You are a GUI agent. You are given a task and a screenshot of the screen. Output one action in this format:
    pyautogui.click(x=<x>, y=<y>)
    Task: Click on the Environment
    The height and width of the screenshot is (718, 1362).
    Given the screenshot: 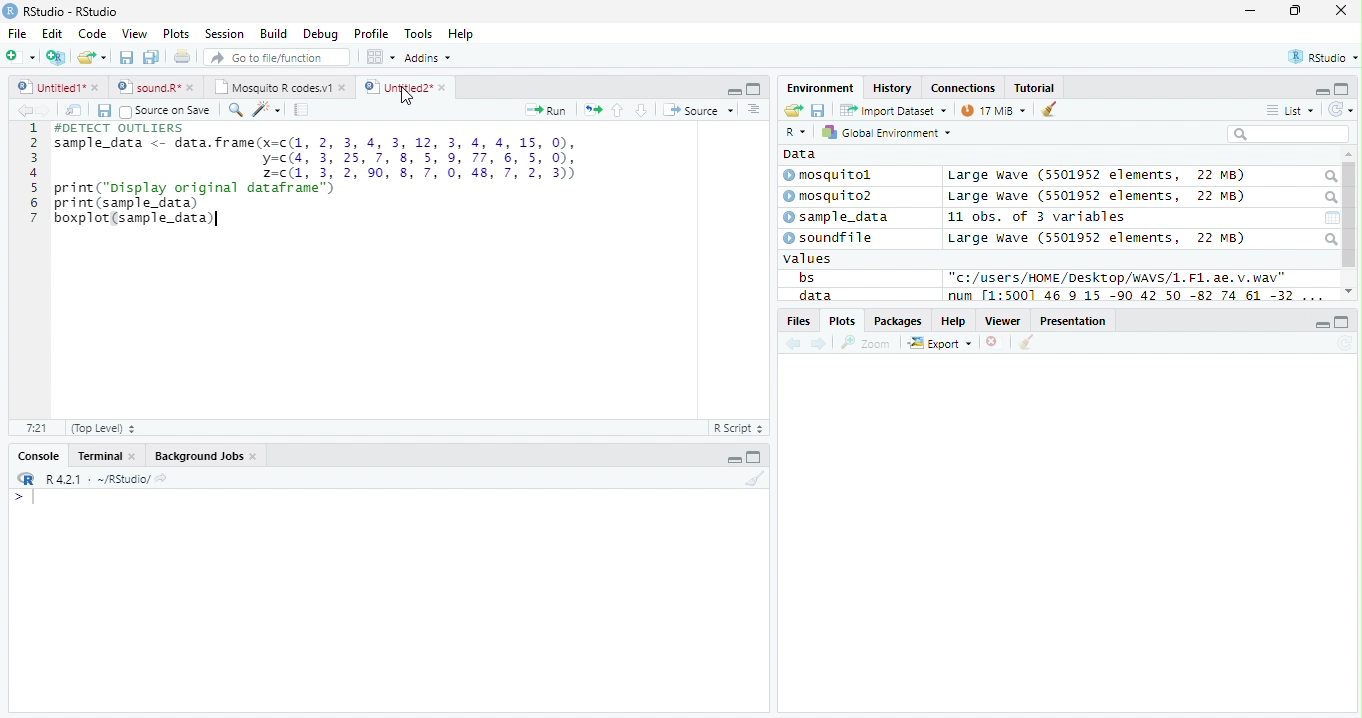 What is the action you would take?
    pyautogui.click(x=821, y=88)
    